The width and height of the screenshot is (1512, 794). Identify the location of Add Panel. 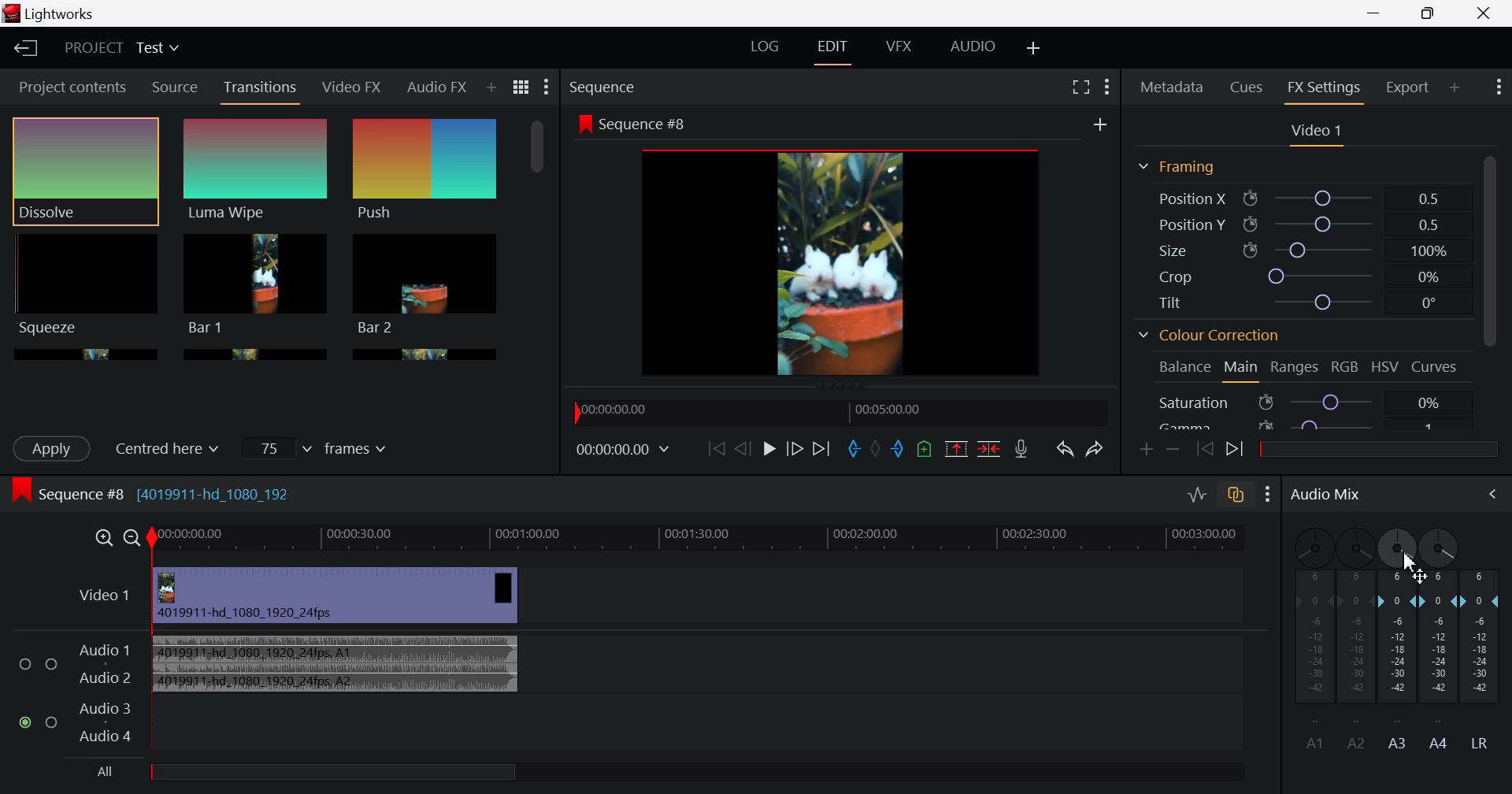
(491, 88).